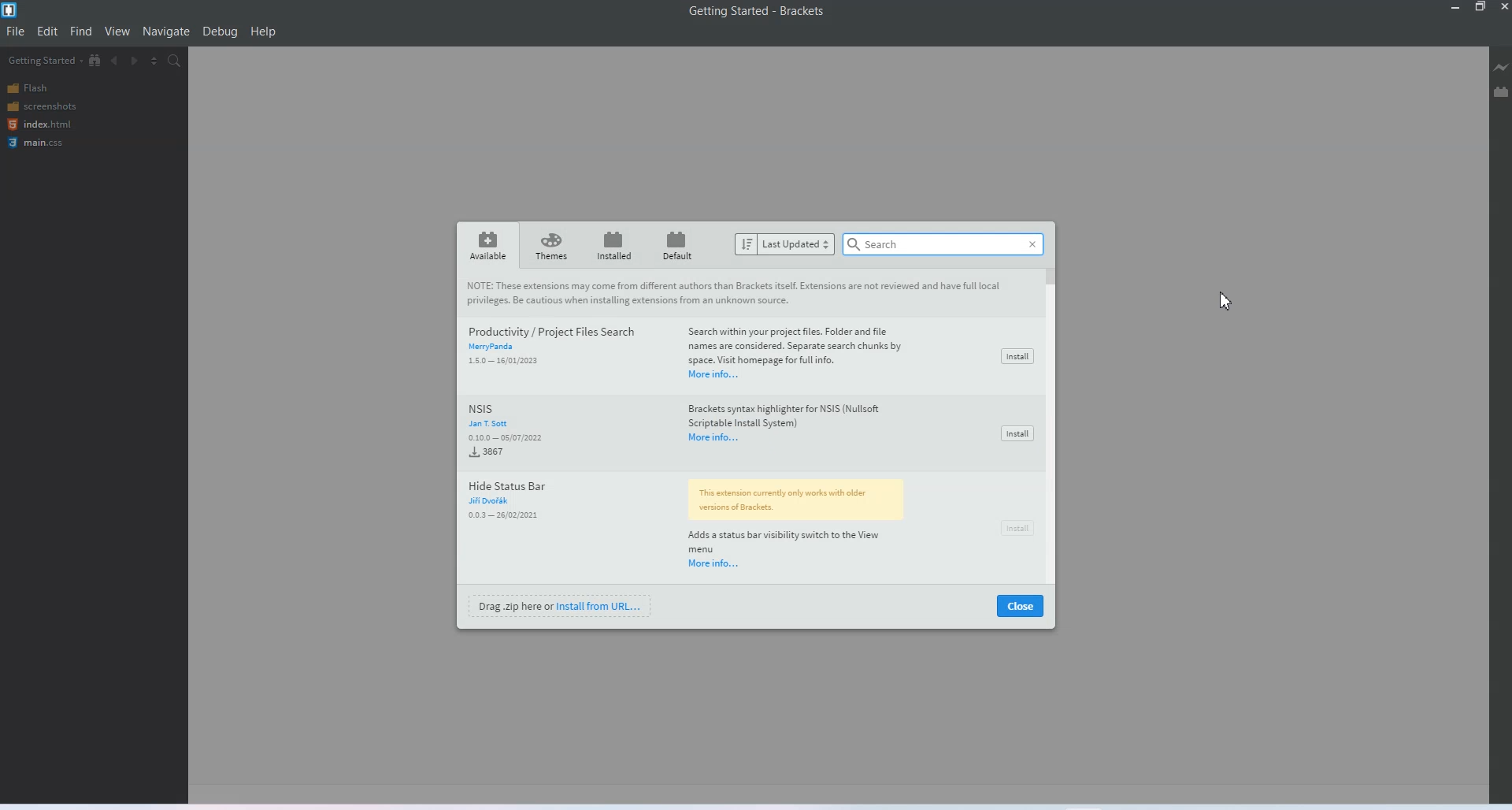 The width and height of the screenshot is (1512, 810). Describe the element at coordinates (799, 345) in the screenshot. I see `Search within your project files. Folder and filenames are considered. Separate search chunks by space. Visit homepage for full info.` at that location.